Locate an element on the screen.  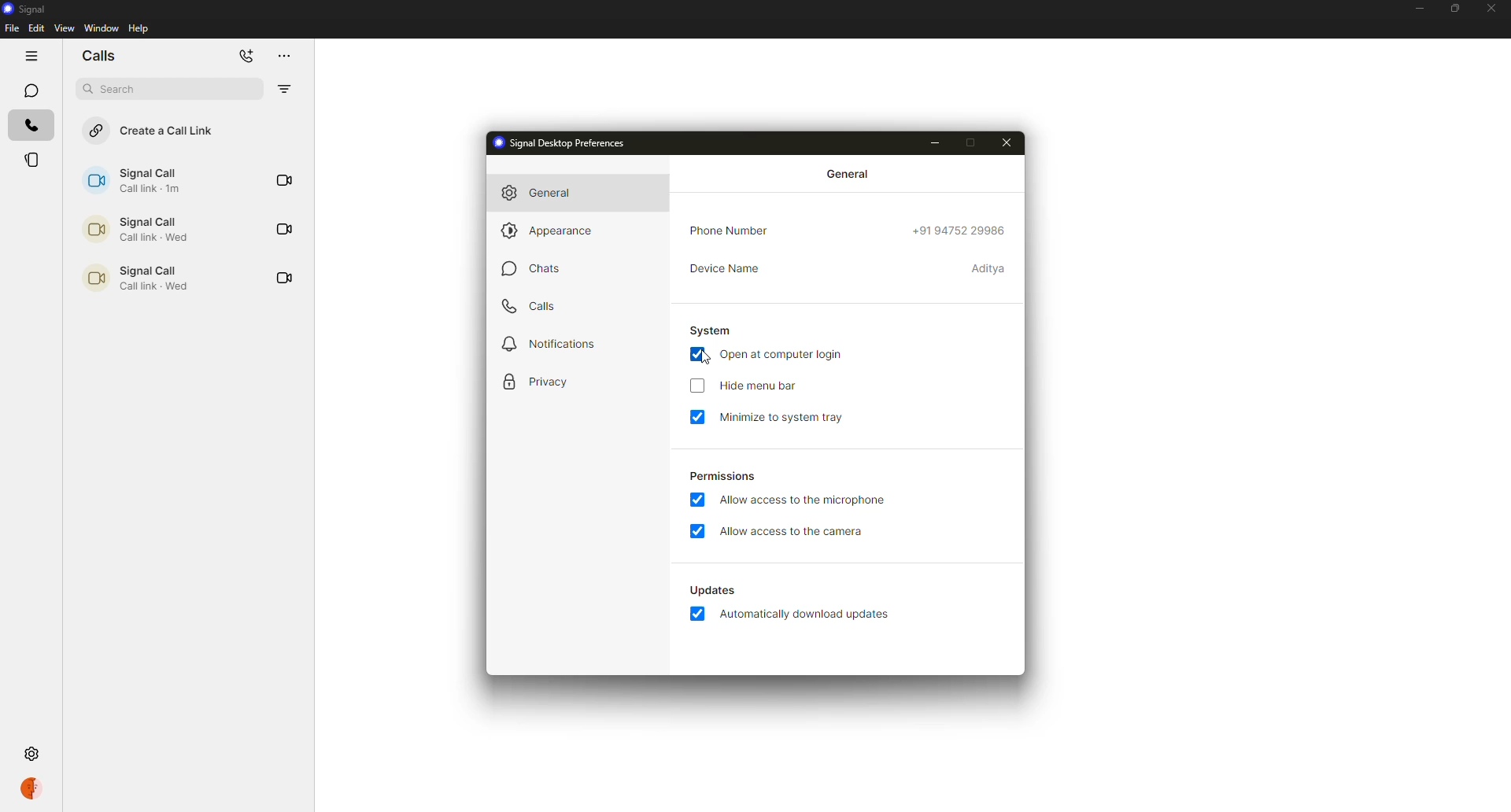
hide tabs is located at coordinates (30, 57).